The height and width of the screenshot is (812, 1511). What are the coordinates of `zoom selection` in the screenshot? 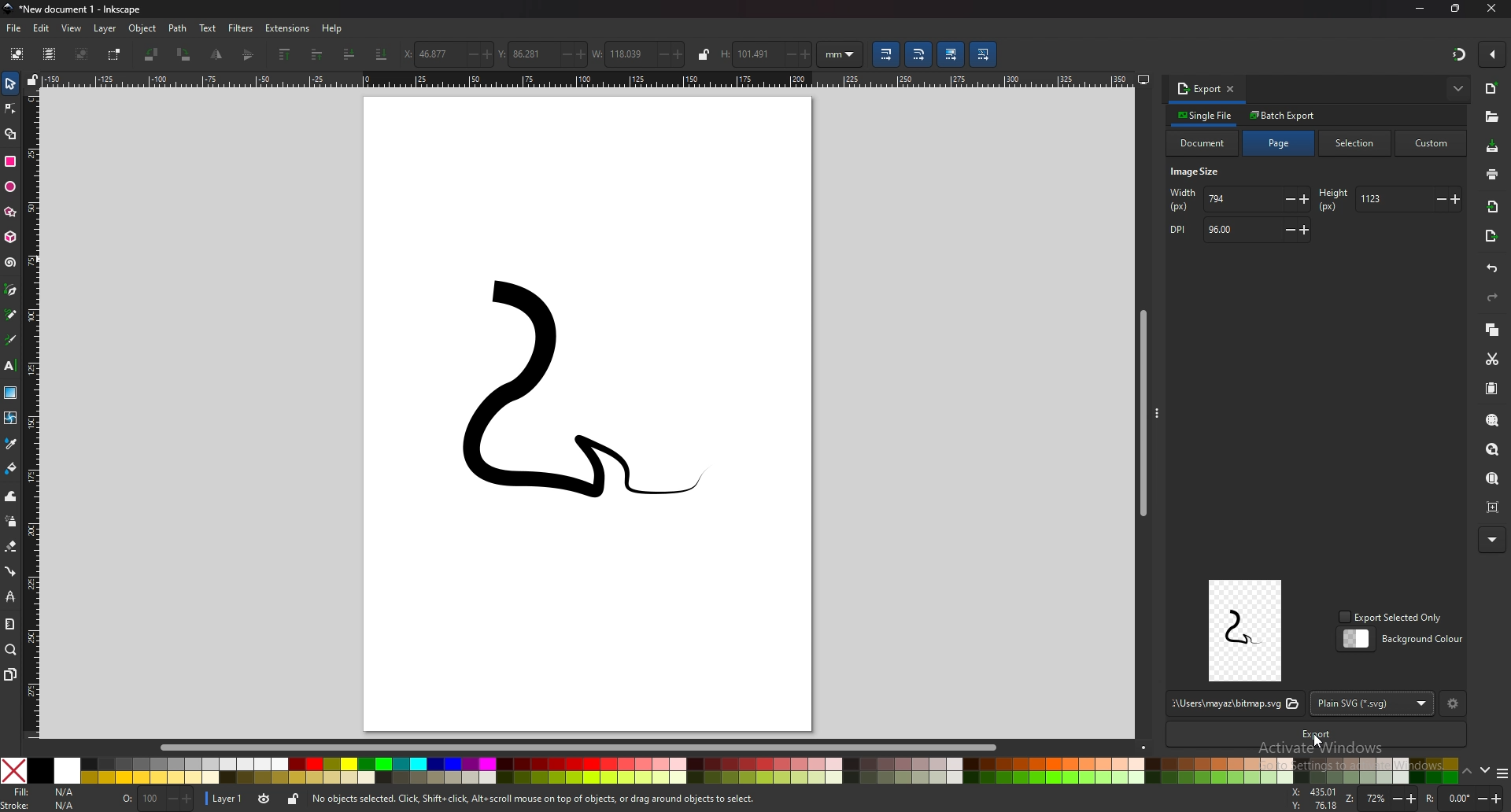 It's located at (1493, 419).